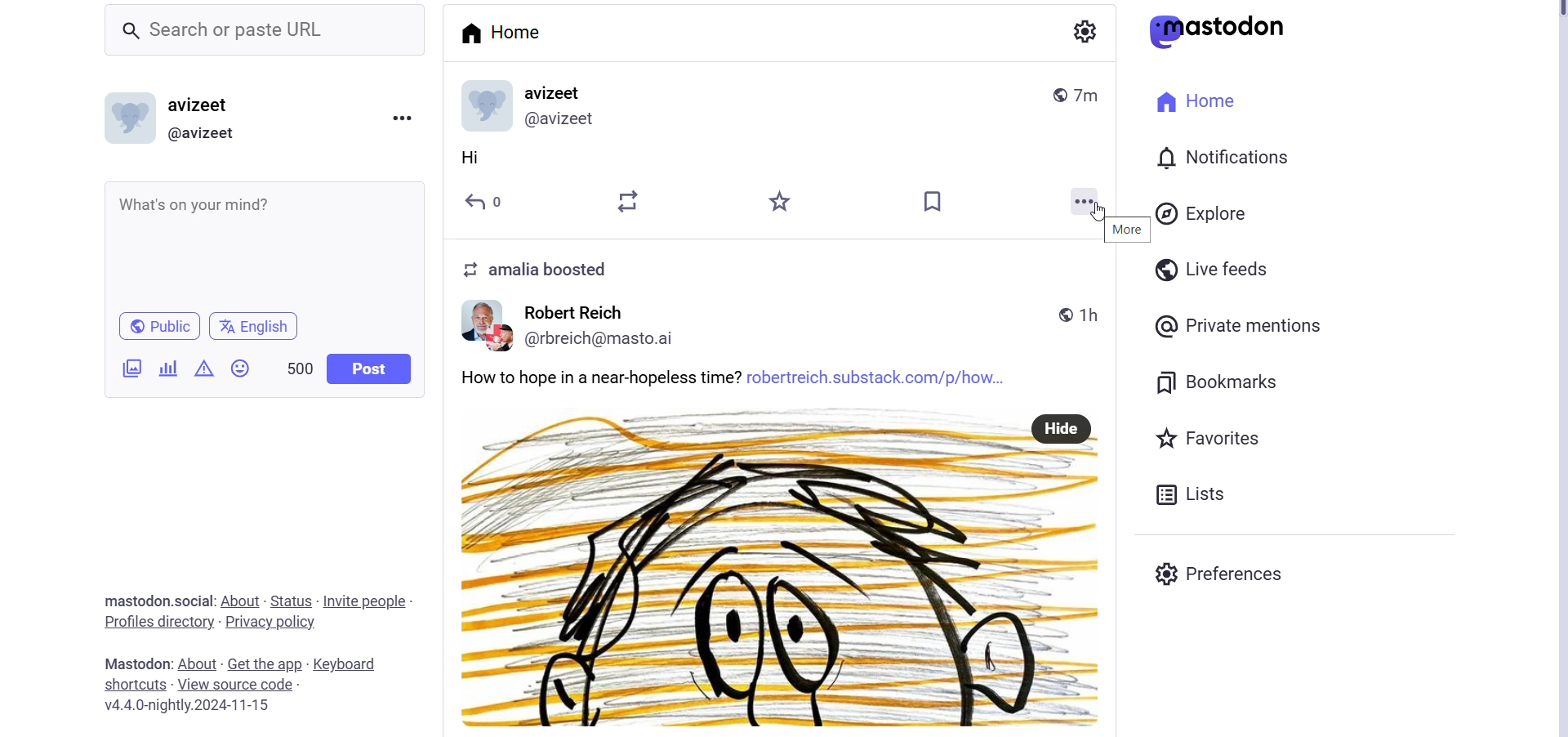 The height and width of the screenshot is (737, 1568). I want to click on Bookmarks, so click(933, 203).